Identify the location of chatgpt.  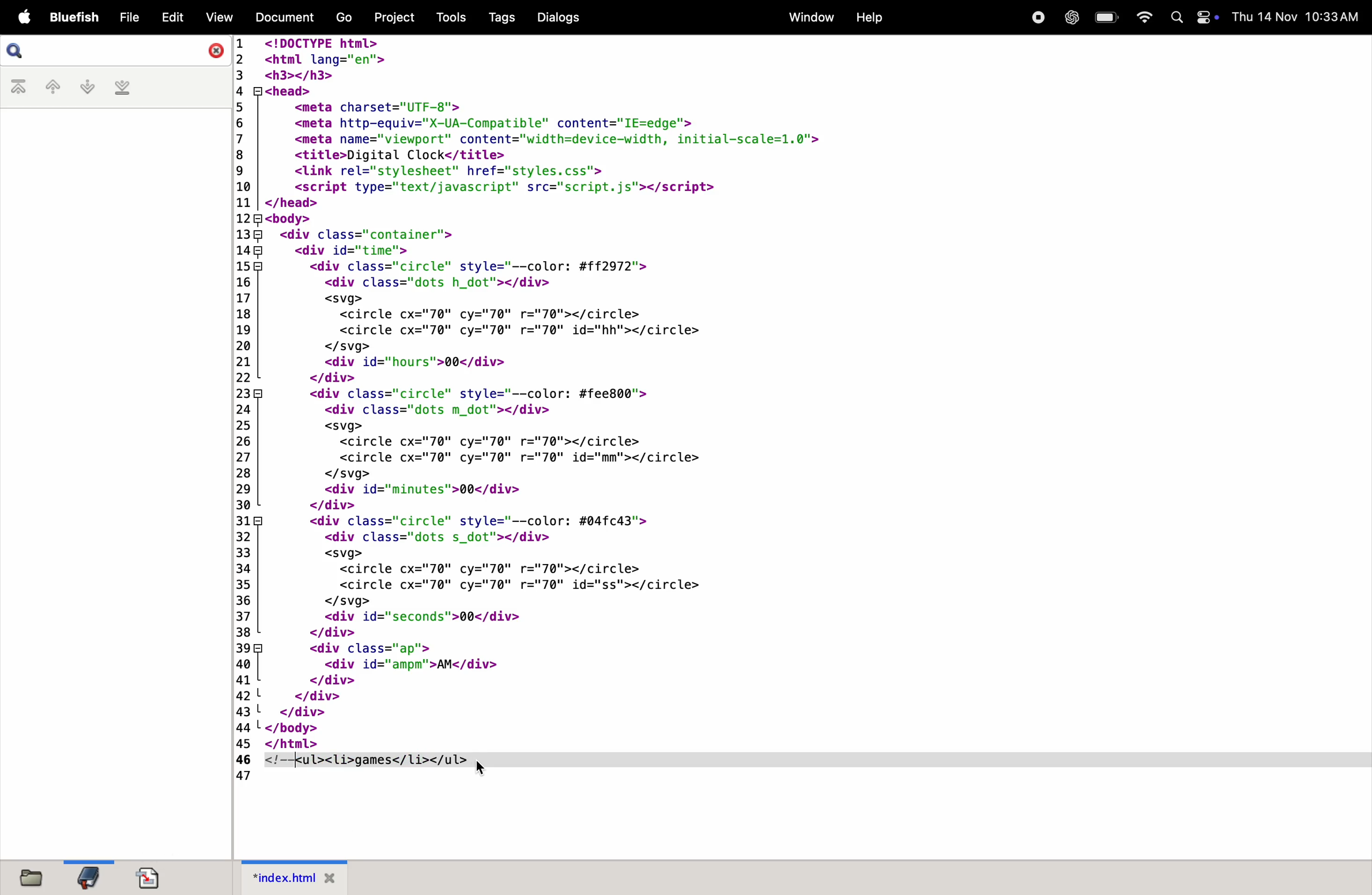
(1071, 18).